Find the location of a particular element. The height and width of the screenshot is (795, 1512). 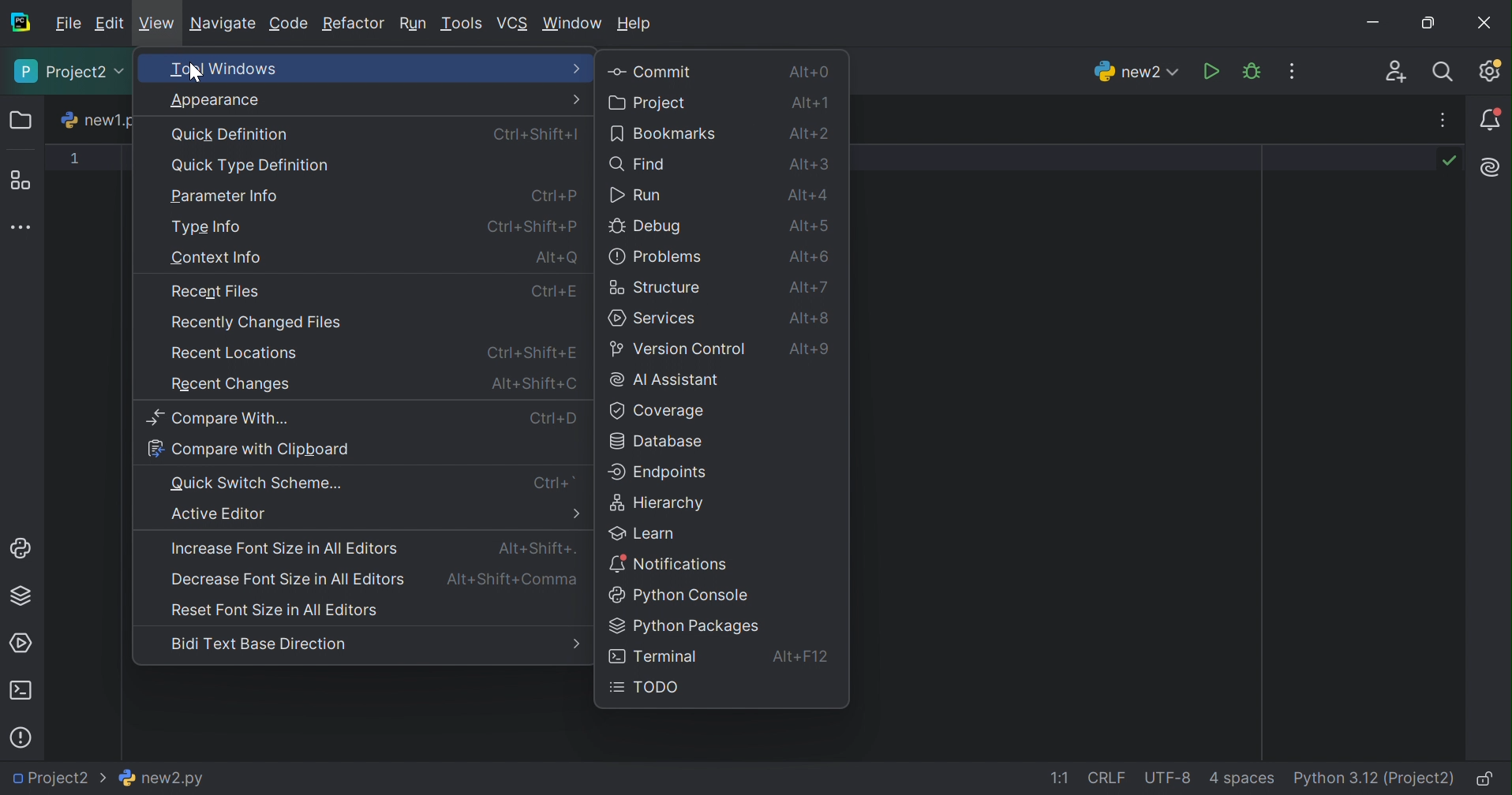

File is located at coordinates (65, 22).